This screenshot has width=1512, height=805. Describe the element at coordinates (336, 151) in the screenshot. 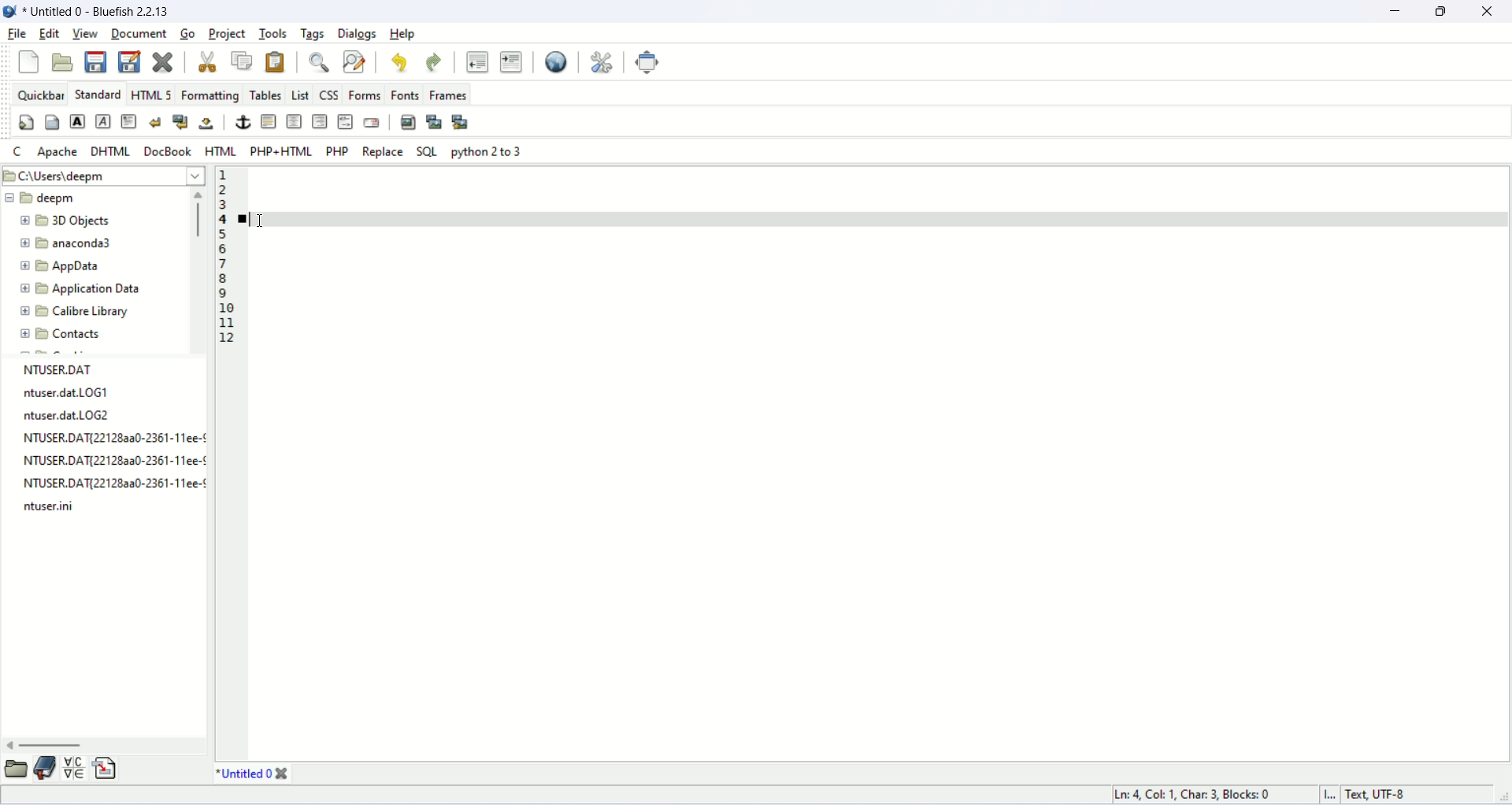

I see `PHP` at that location.